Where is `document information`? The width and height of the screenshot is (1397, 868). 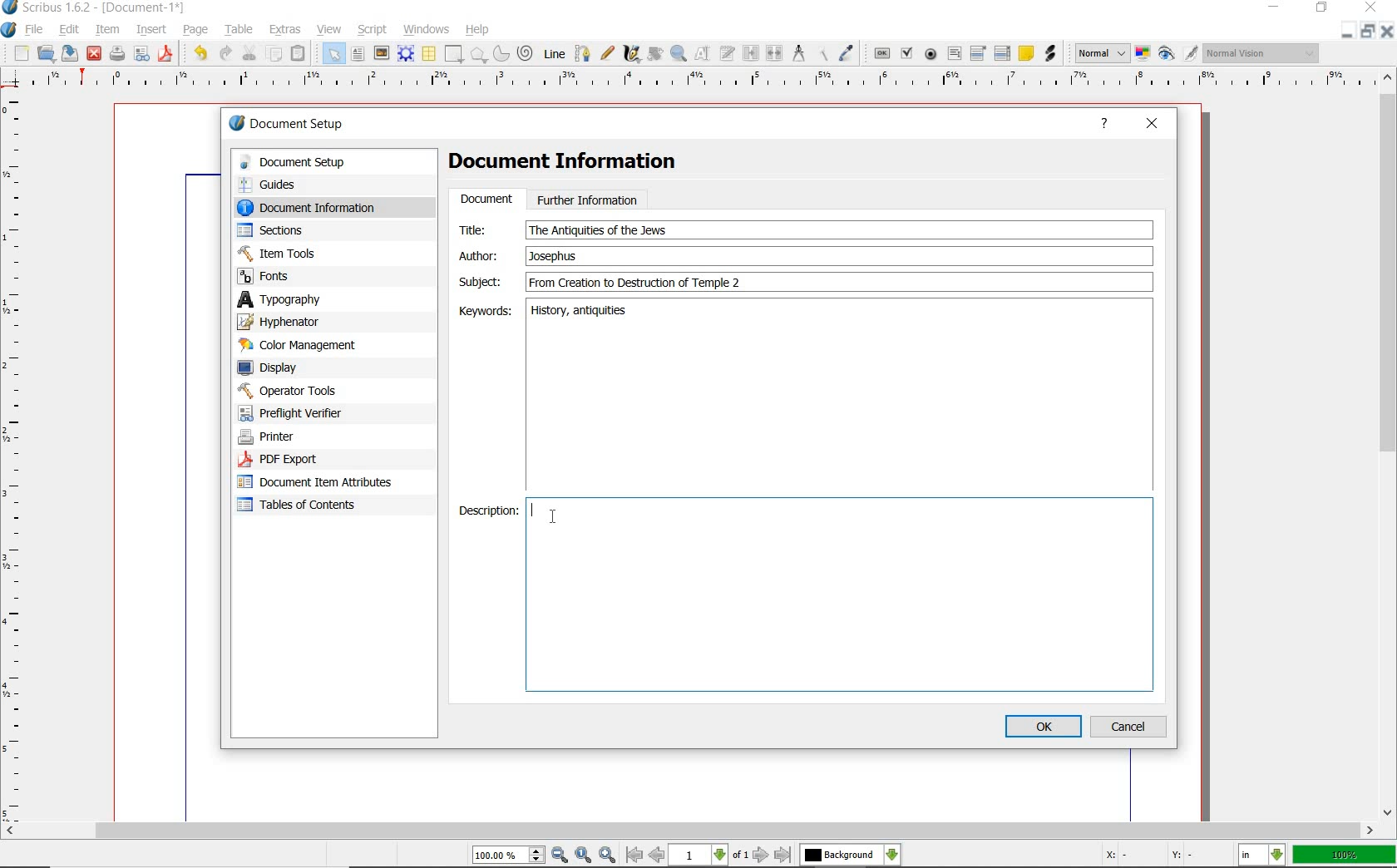
document information is located at coordinates (323, 207).